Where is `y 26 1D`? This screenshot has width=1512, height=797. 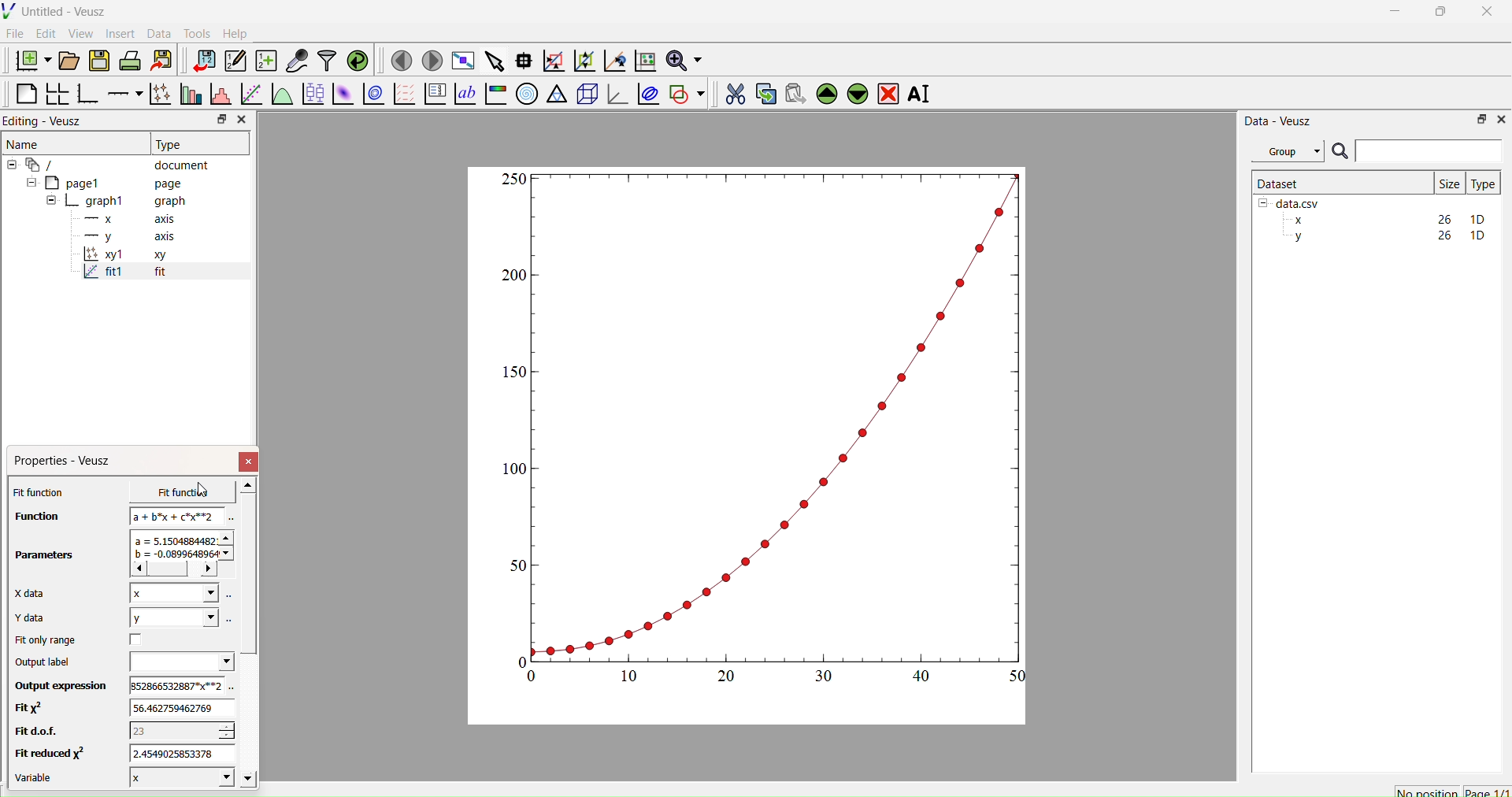
y 26 1D is located at coordinates (1385, 235).